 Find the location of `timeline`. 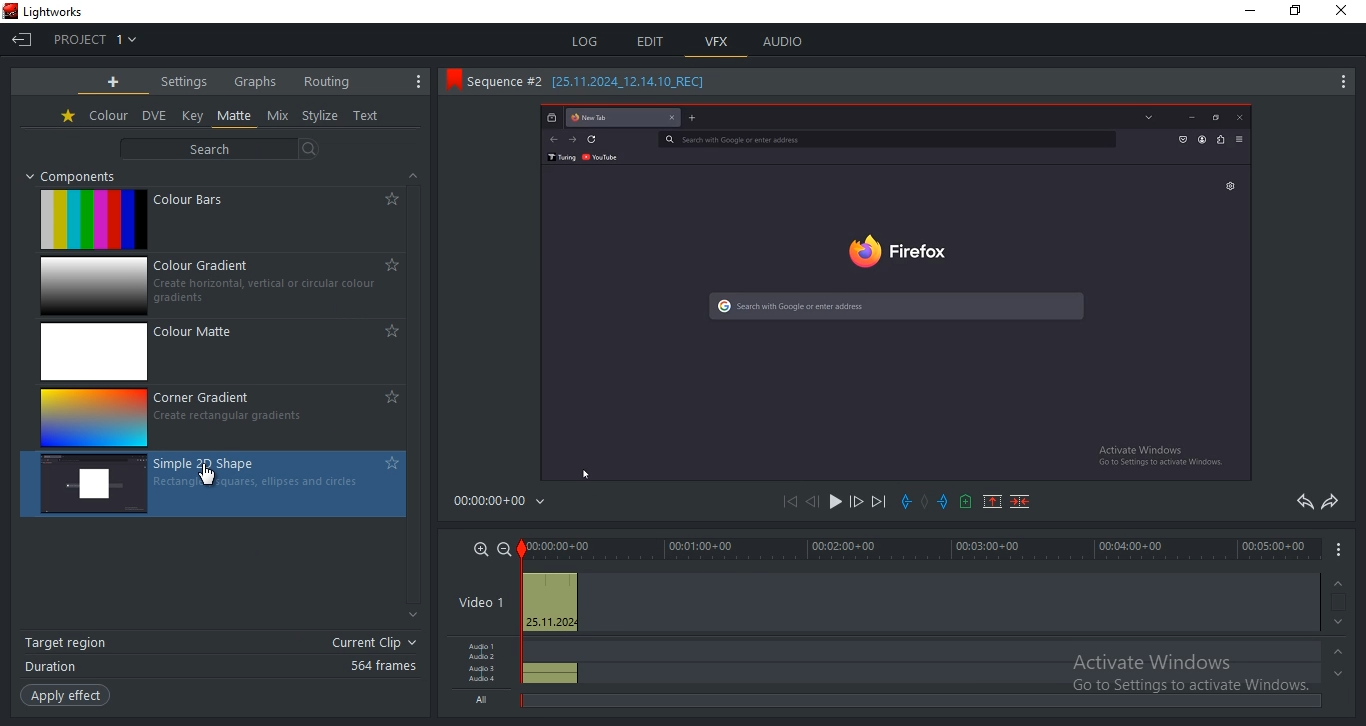

timeline is located at coordinates (919, 547).